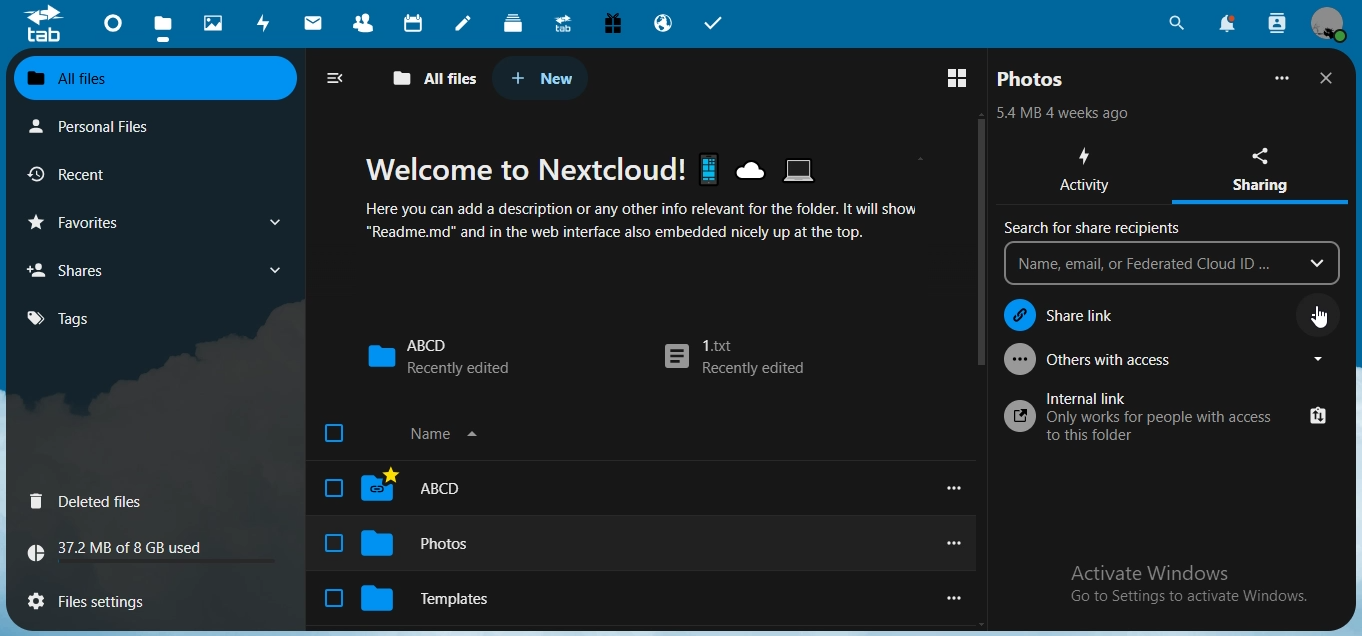 This screenshot has height=636, width=1362. I want to click on 1.txt, so click(743, 359).